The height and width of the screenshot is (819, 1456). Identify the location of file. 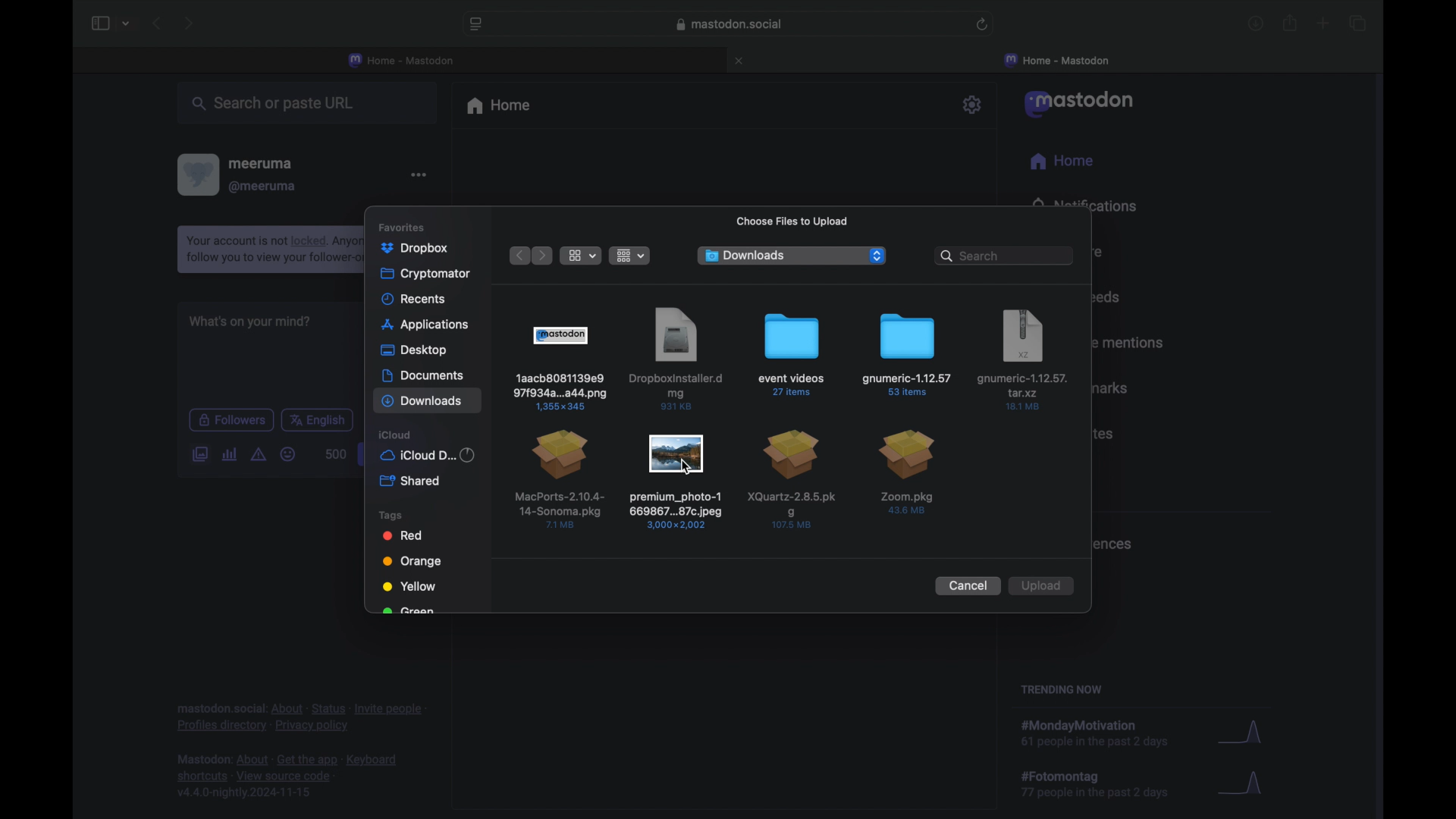
(558, 479).